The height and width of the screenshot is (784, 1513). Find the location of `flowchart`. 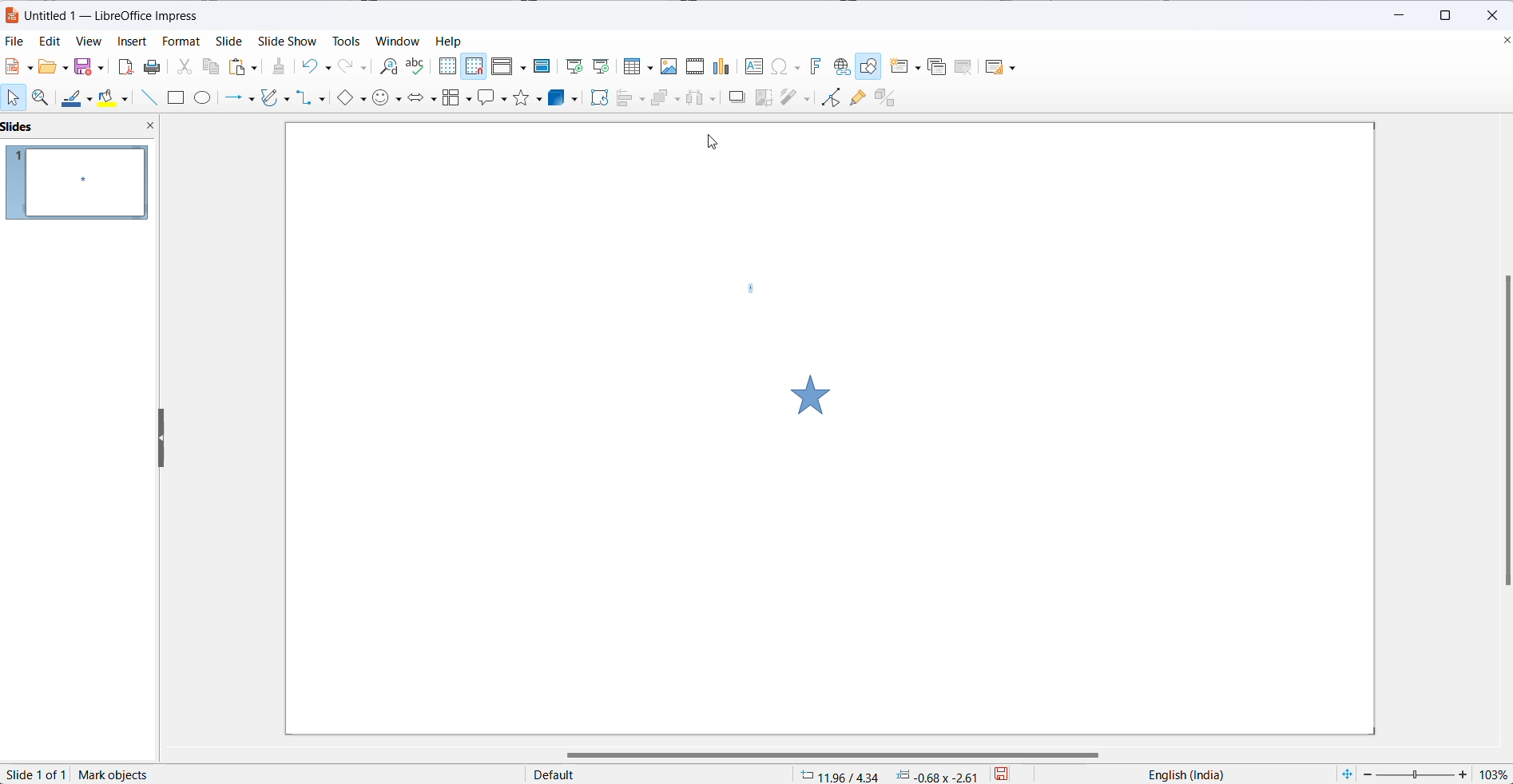

flowchart is located at coordinates (455, 98).